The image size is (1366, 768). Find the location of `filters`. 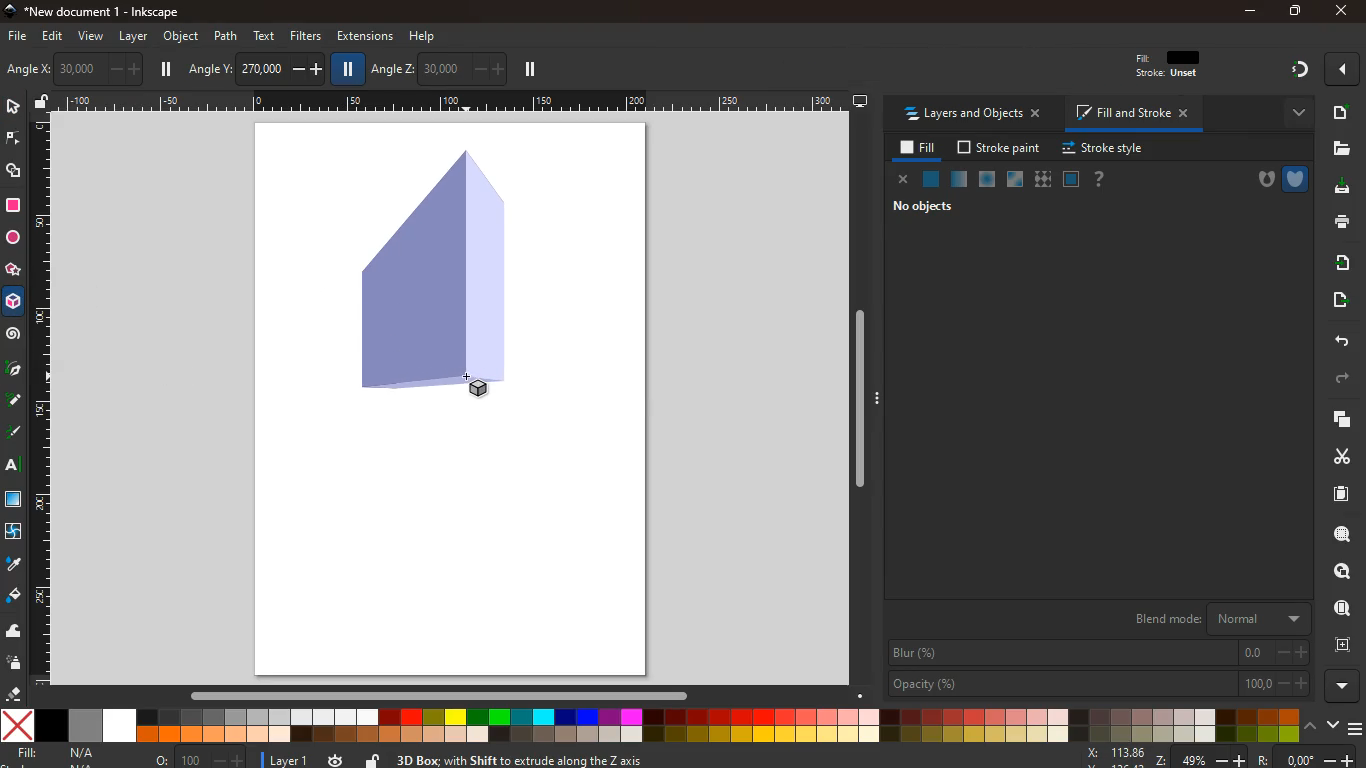

filters is located at coordinates (302, 37).